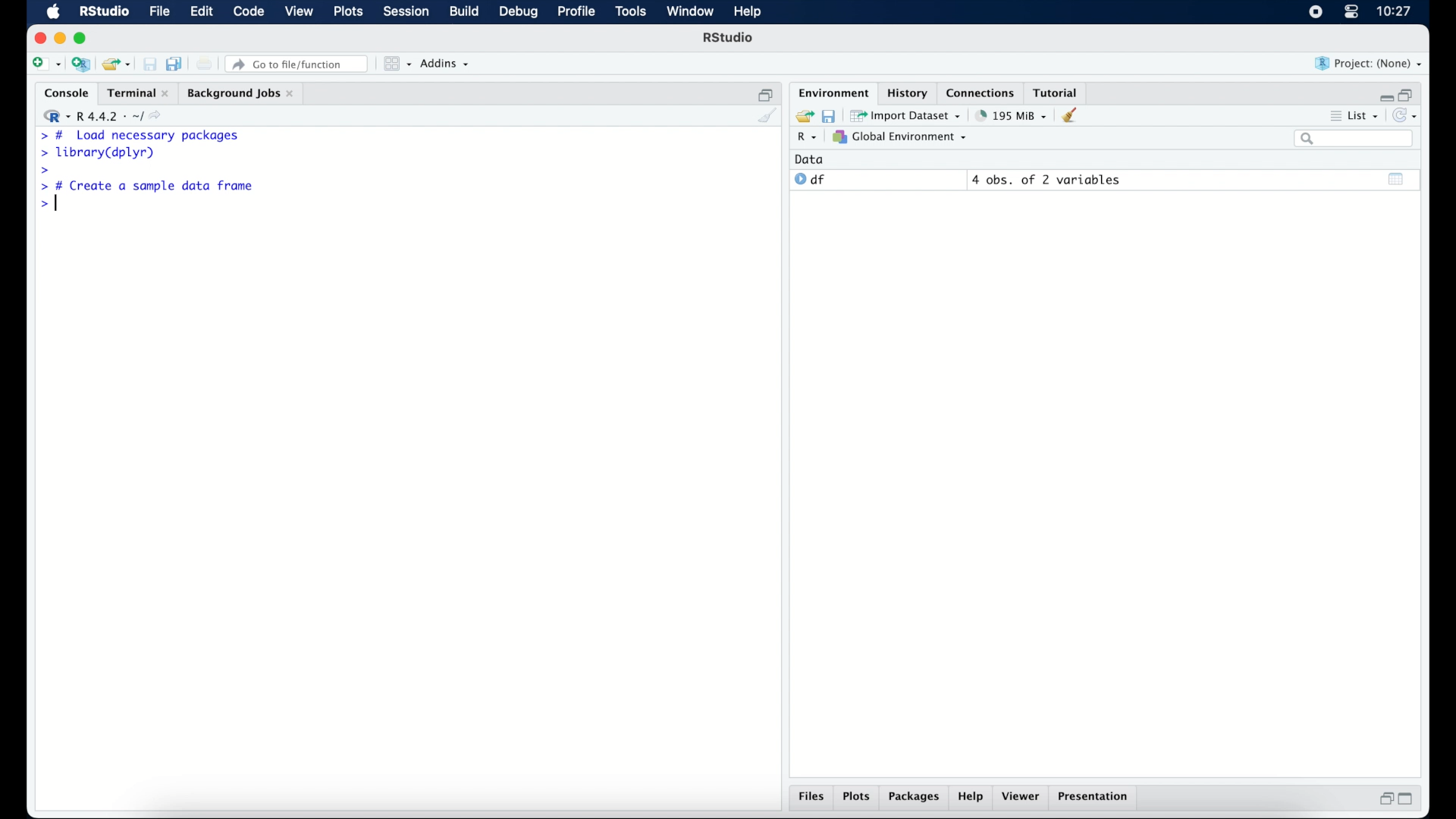 The width and height of the screenshot is (1456, 819). Describe the element at coordinates (1075, 116) in the screenshot. I see `clear workspace` at that location.